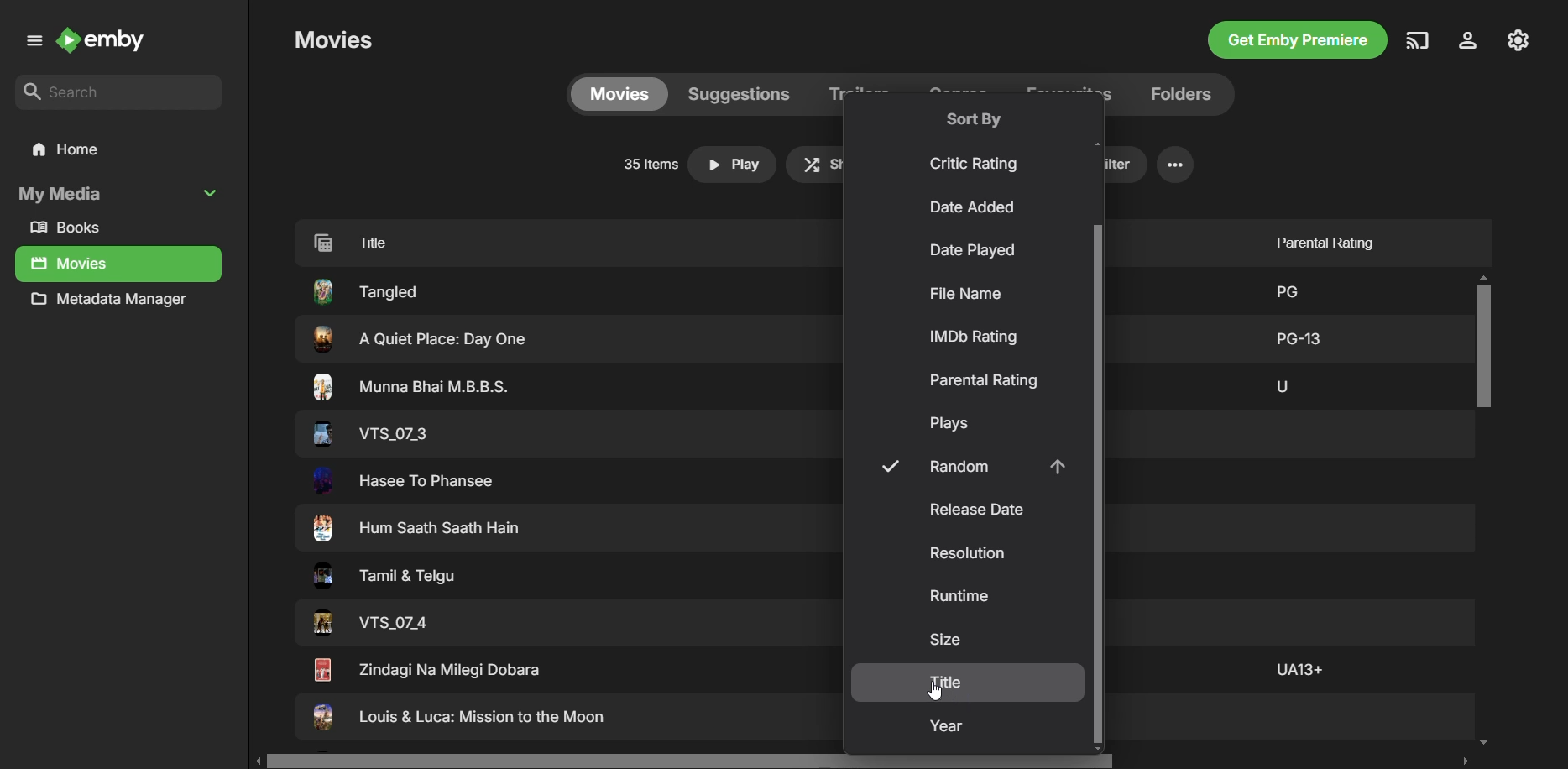 The image size is (1568, 769). I want to click on Vertical Scroll Bar, so click(1095, 485).